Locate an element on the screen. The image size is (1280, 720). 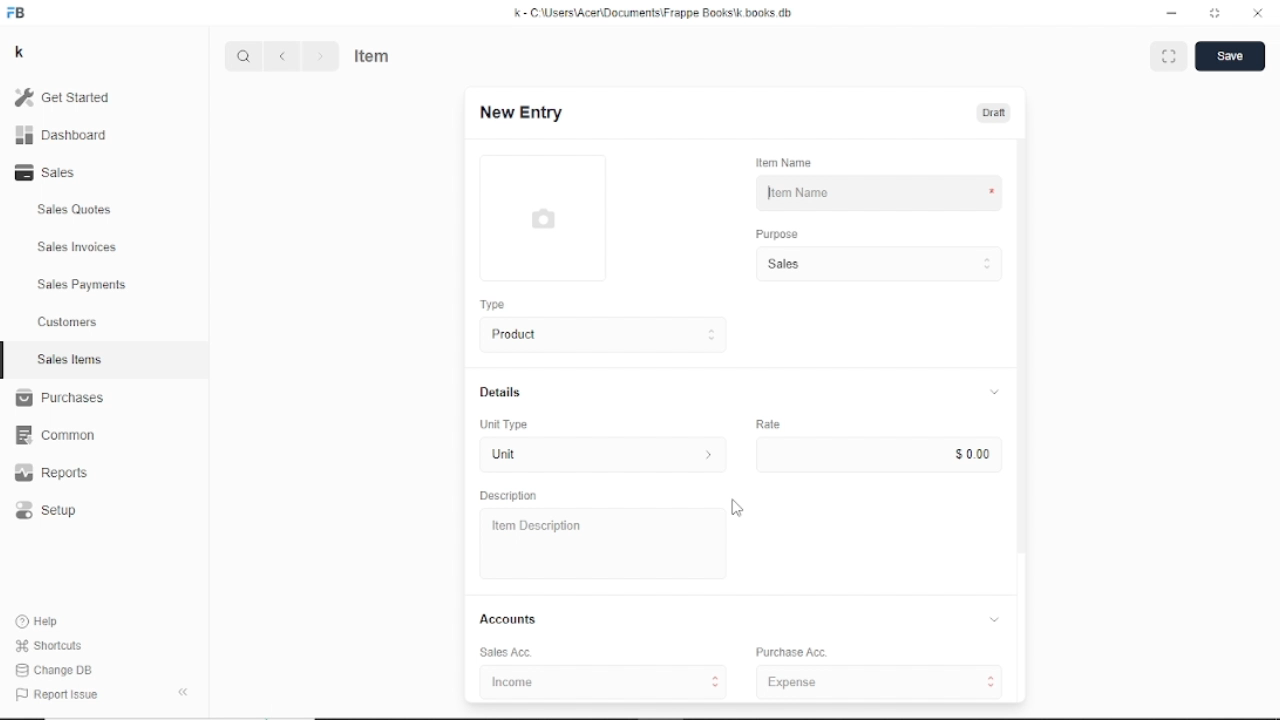
Purchase Acc. is located at coordinates (790, 653).